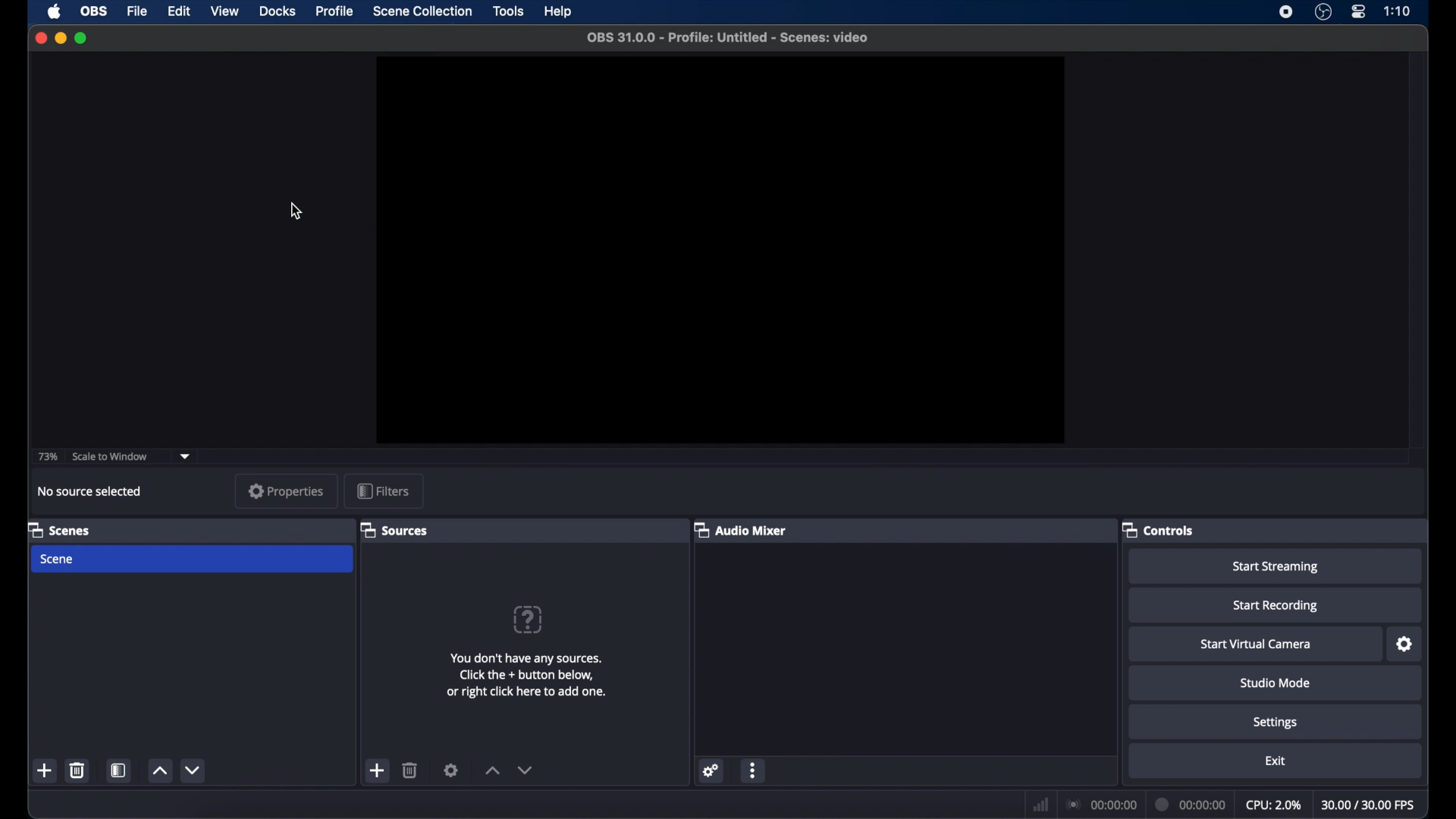 This screenshot has width=1456, height=819. What do you see at coordinates (137, 11) in the screenshot?
I see `file` at bounding box center [137, 11].